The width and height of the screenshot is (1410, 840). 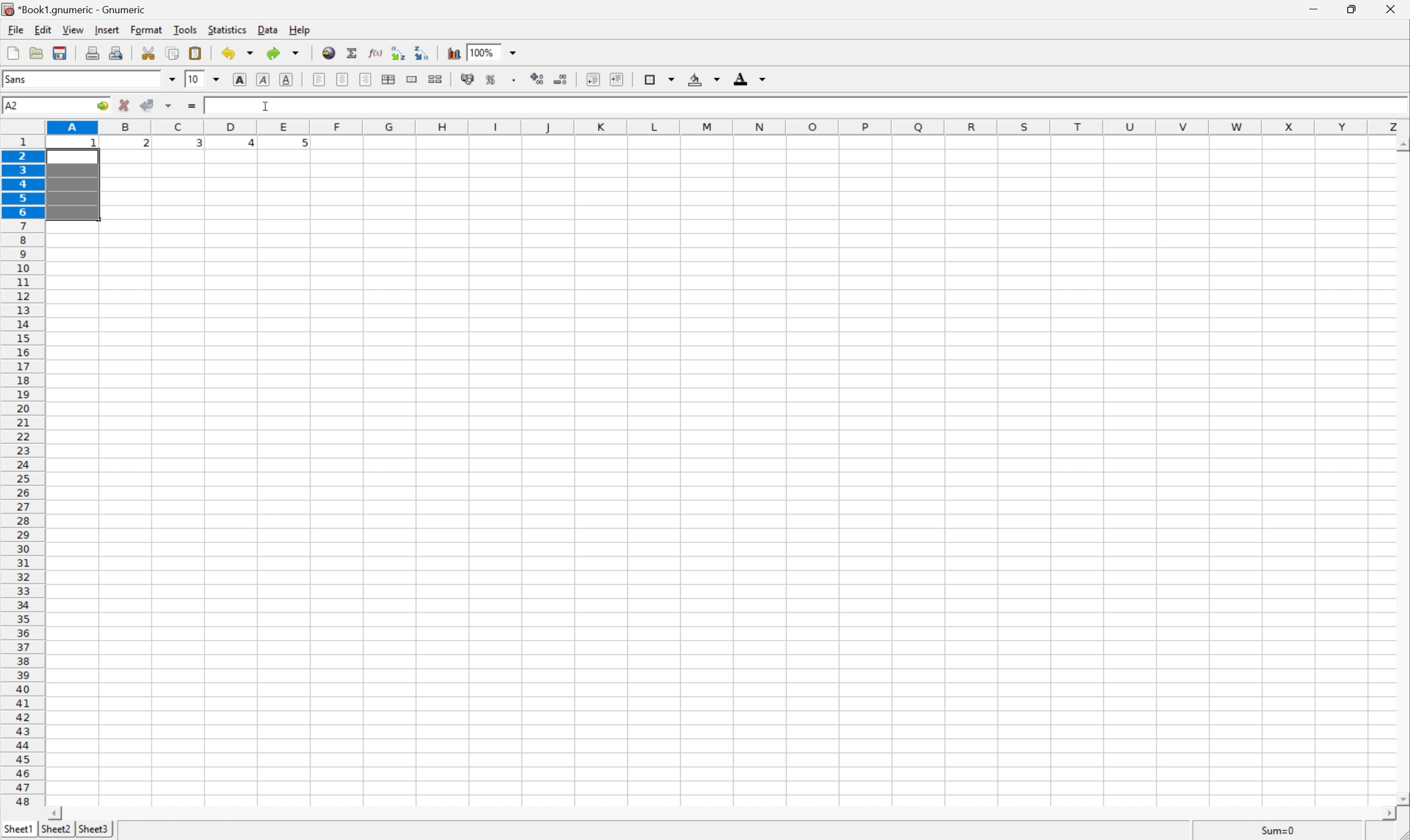 What do you see at coordinates (1401, 794) in the screenshot?
I see `scroll down` at bounding box center [1401, 794].